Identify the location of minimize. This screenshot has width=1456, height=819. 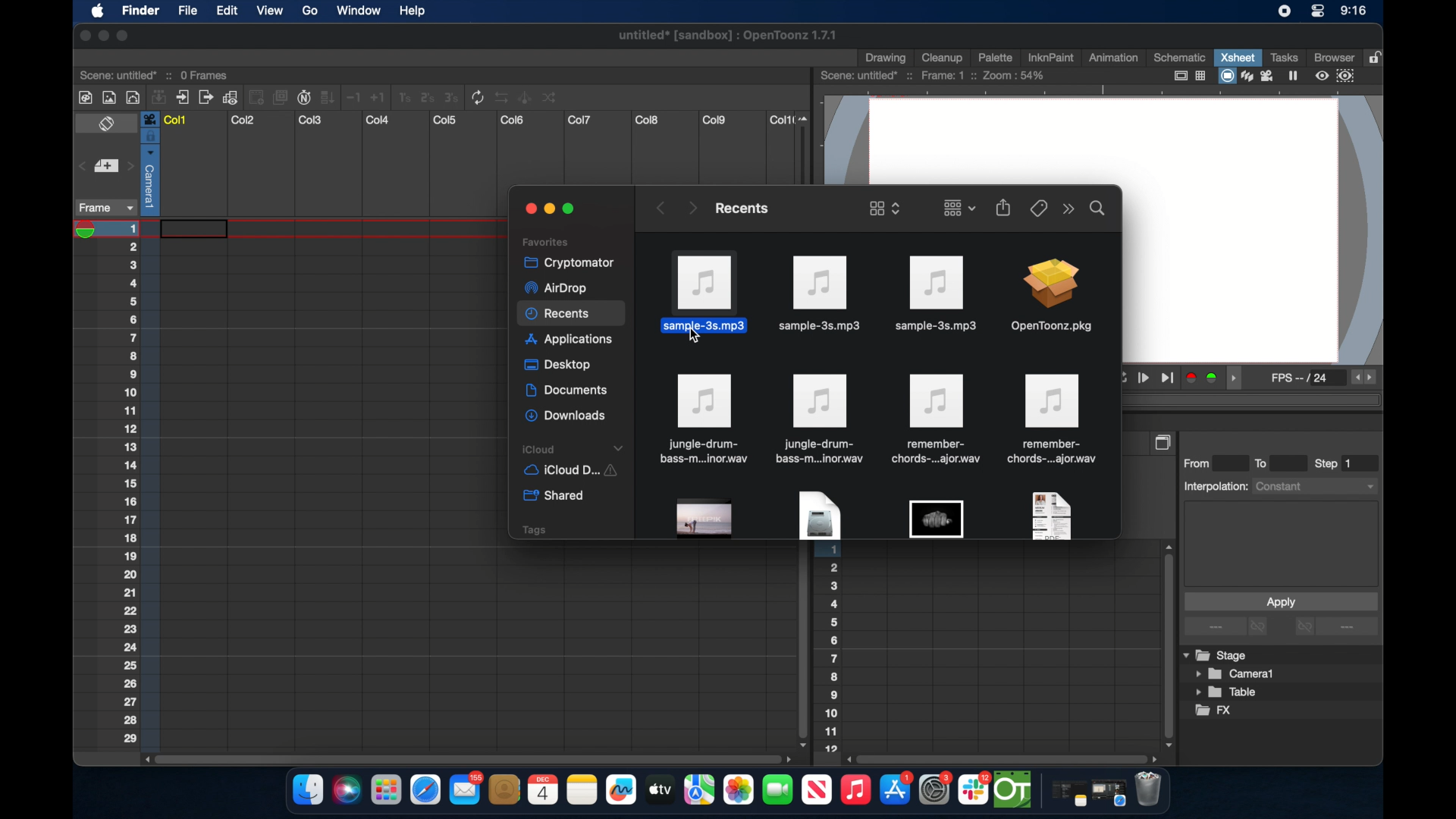
(548, 209).